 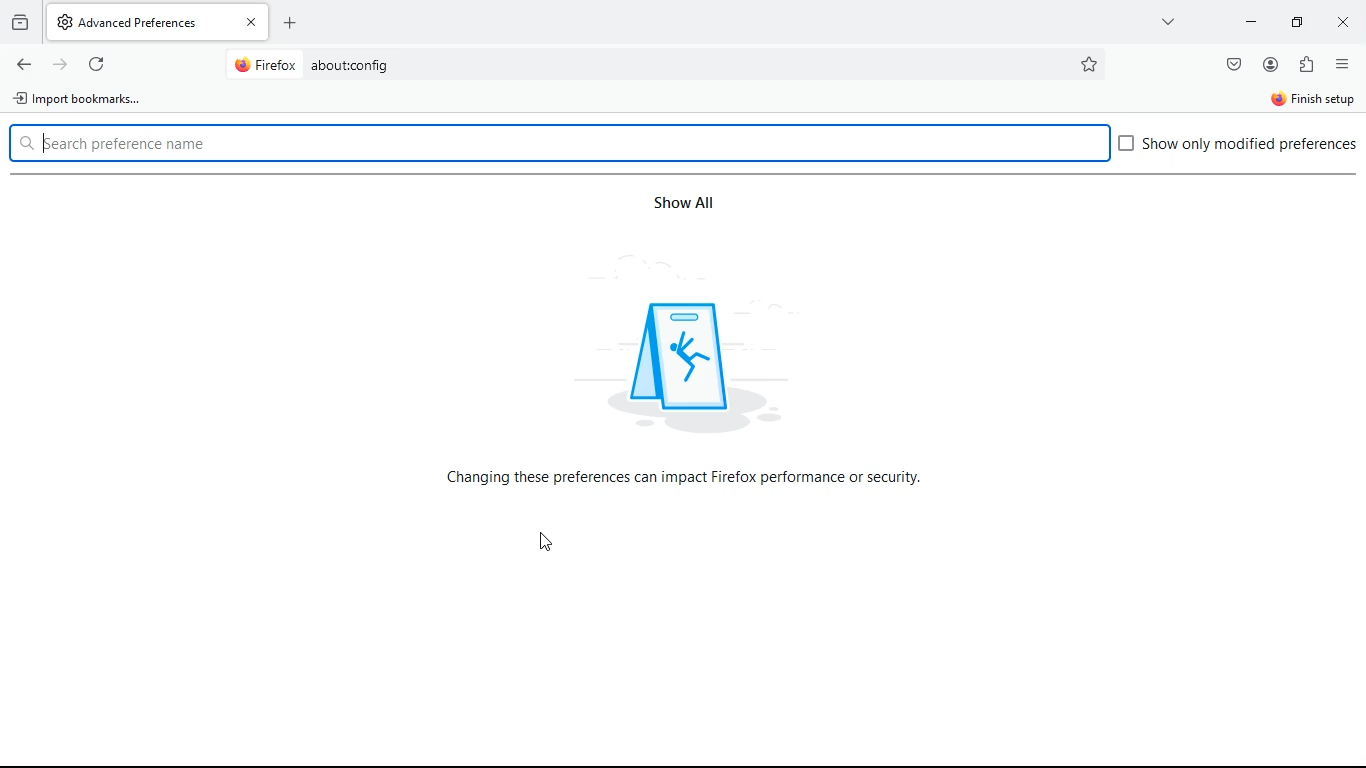 I want to click on extentions, so click(x=1309, y=65).